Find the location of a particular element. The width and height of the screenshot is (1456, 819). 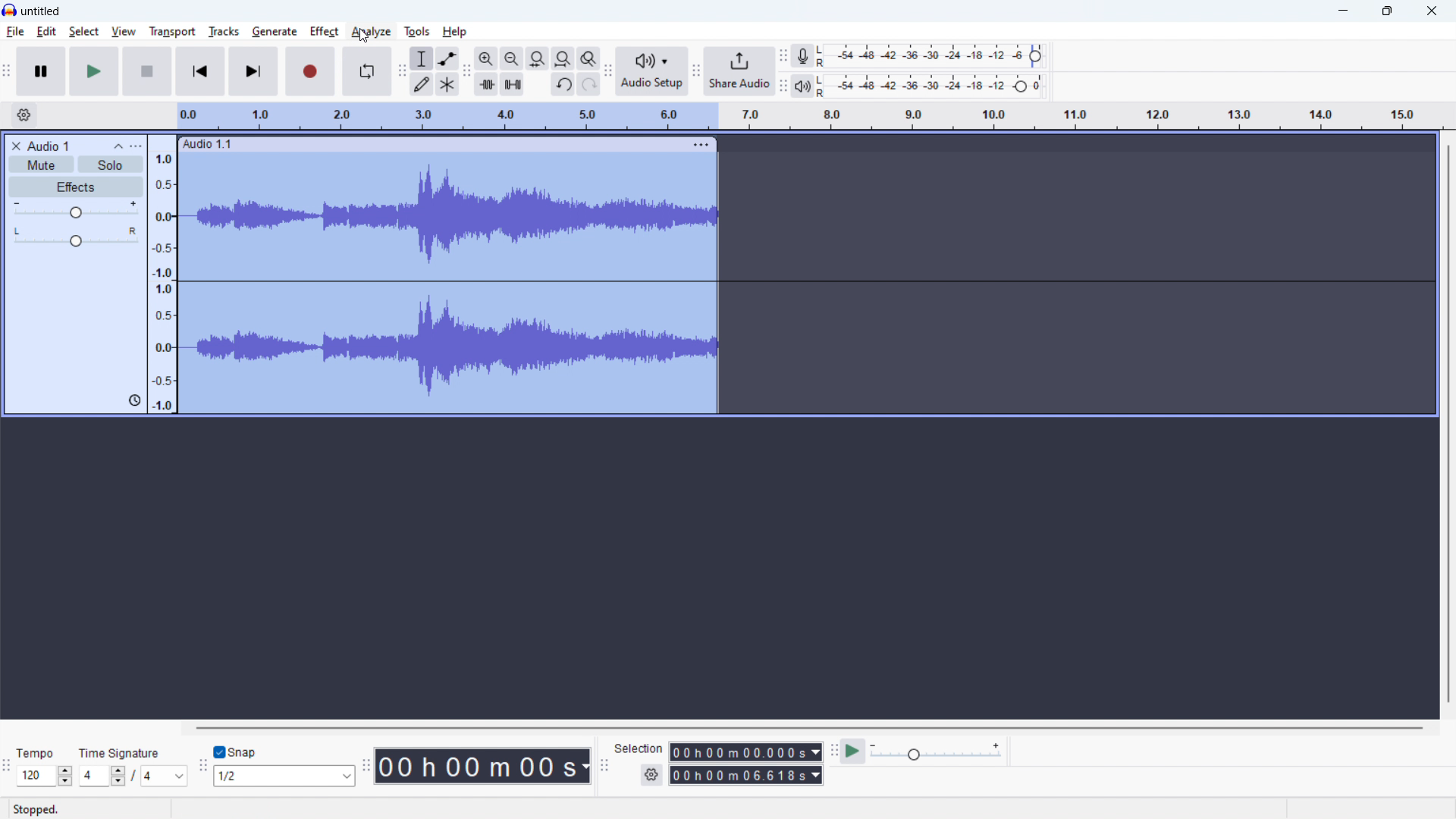

mute is located at coordinates (42, 165).